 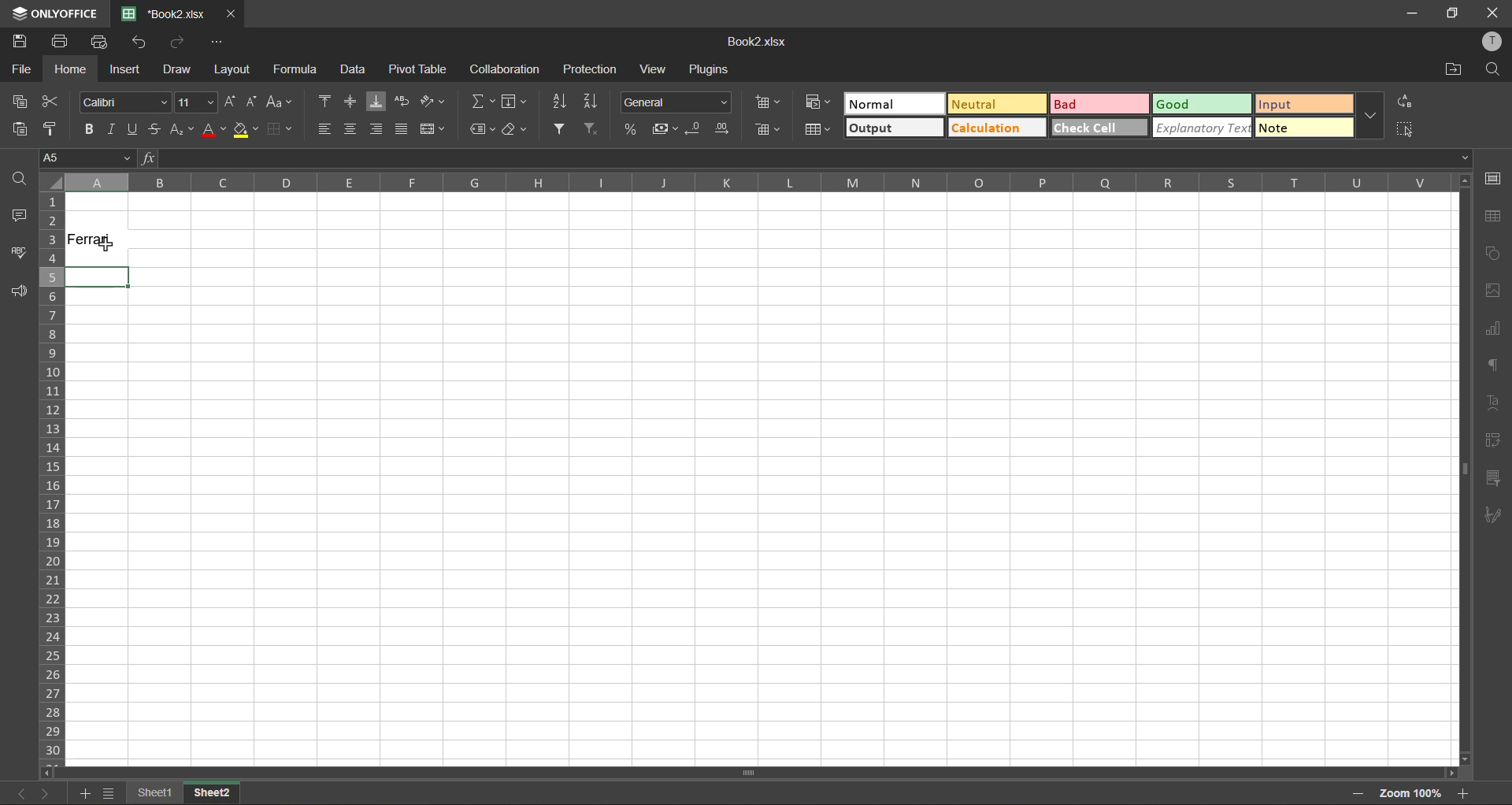 I want to click on collaboration, so click(x=506, y=69).